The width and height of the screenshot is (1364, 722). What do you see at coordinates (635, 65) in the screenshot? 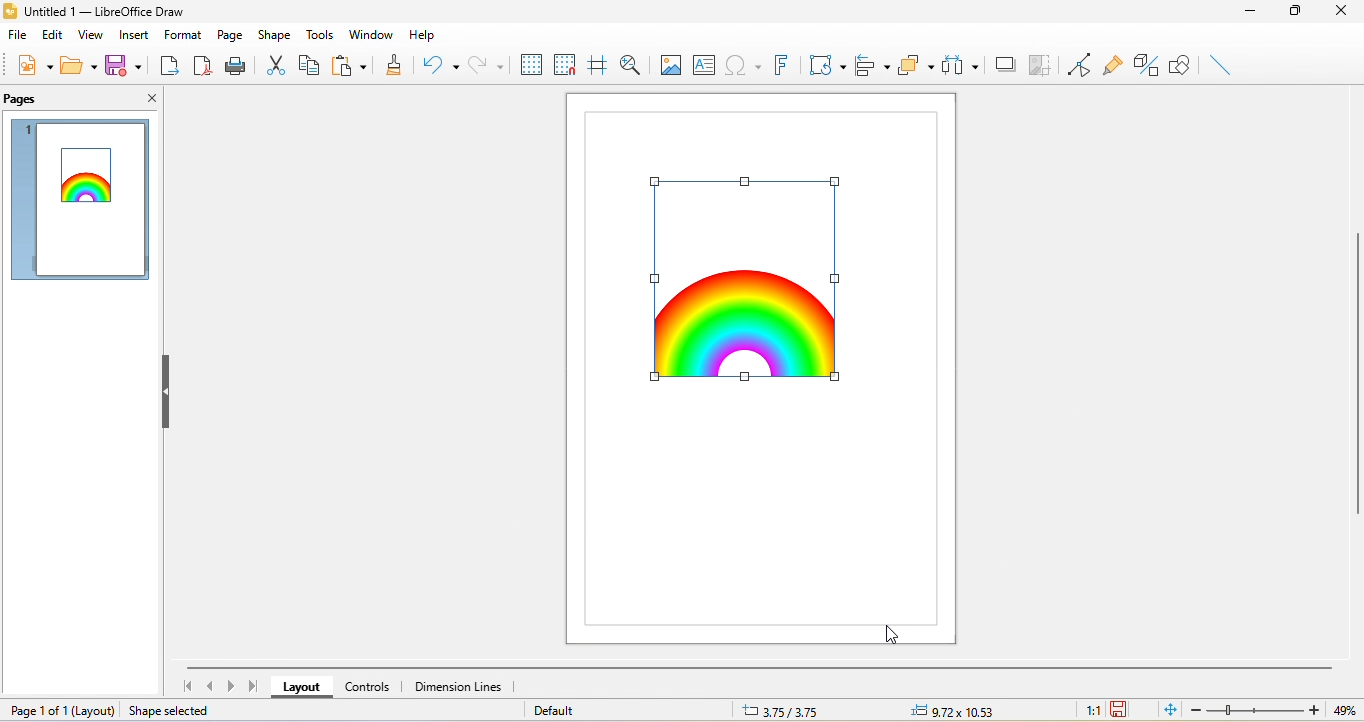
I see `zoom and pan` at bounding box center [635, 65].